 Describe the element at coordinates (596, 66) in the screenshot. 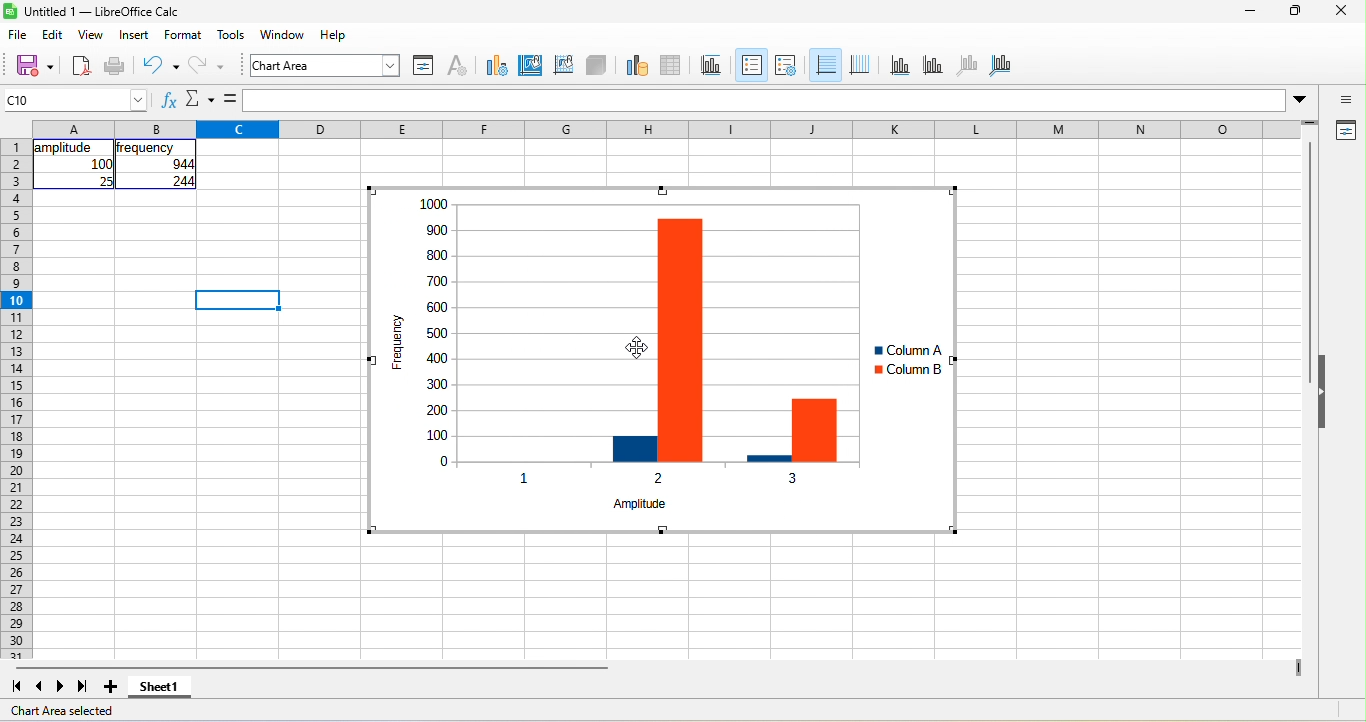

I see `3d view` at that location.